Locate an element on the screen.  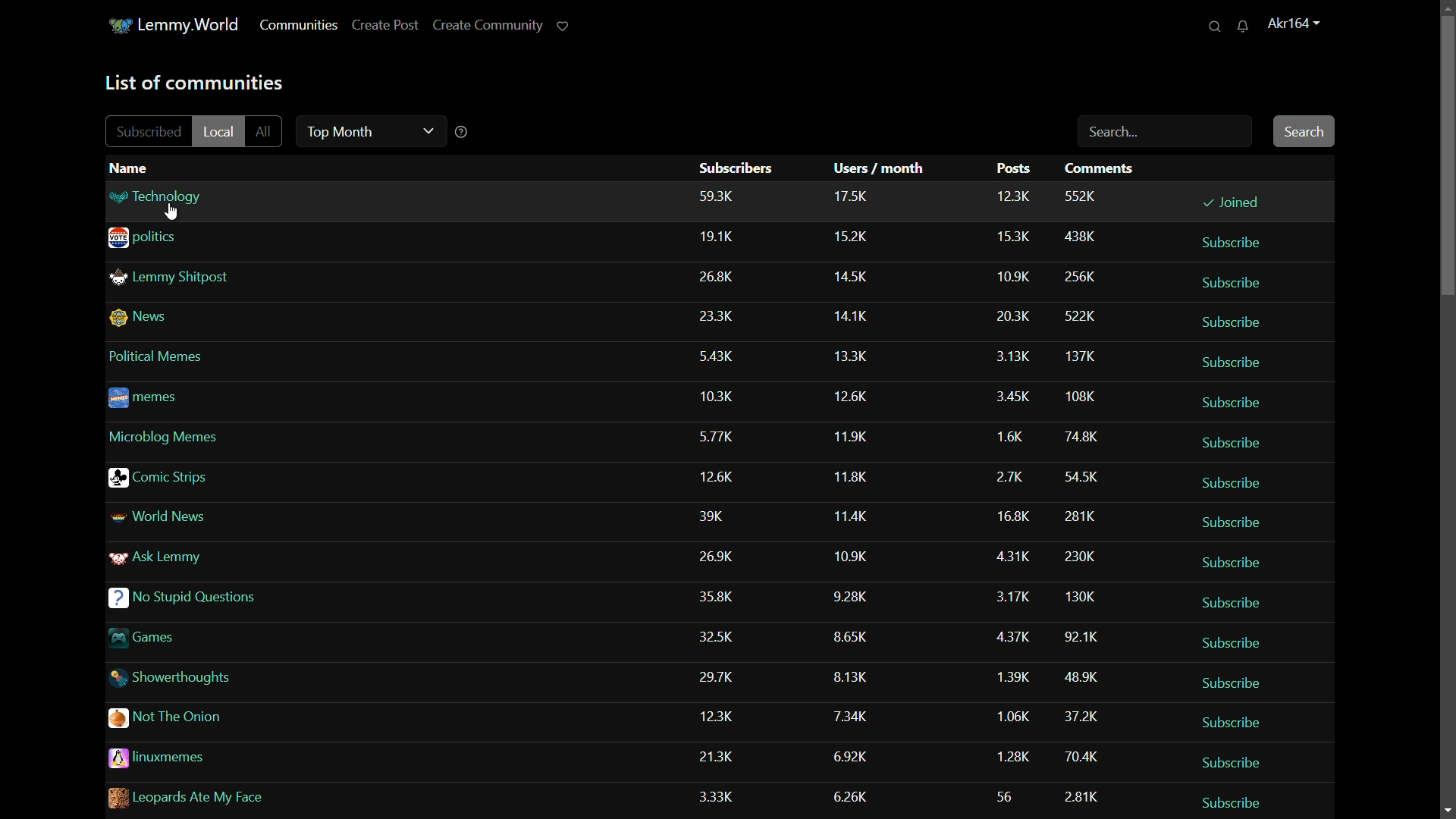
communities name is located at coordinates (214, 794).